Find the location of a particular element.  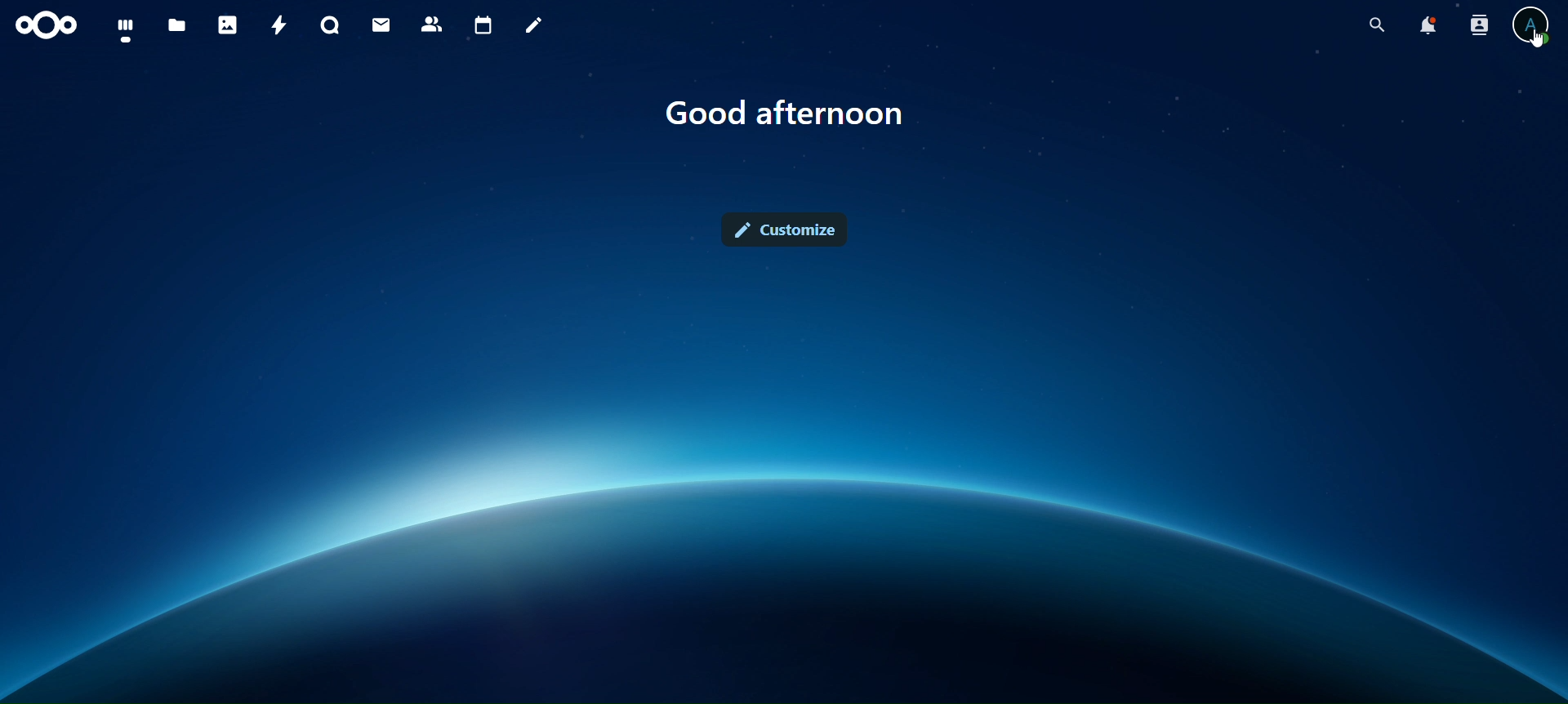

notes is located at coordinates (535, 28).